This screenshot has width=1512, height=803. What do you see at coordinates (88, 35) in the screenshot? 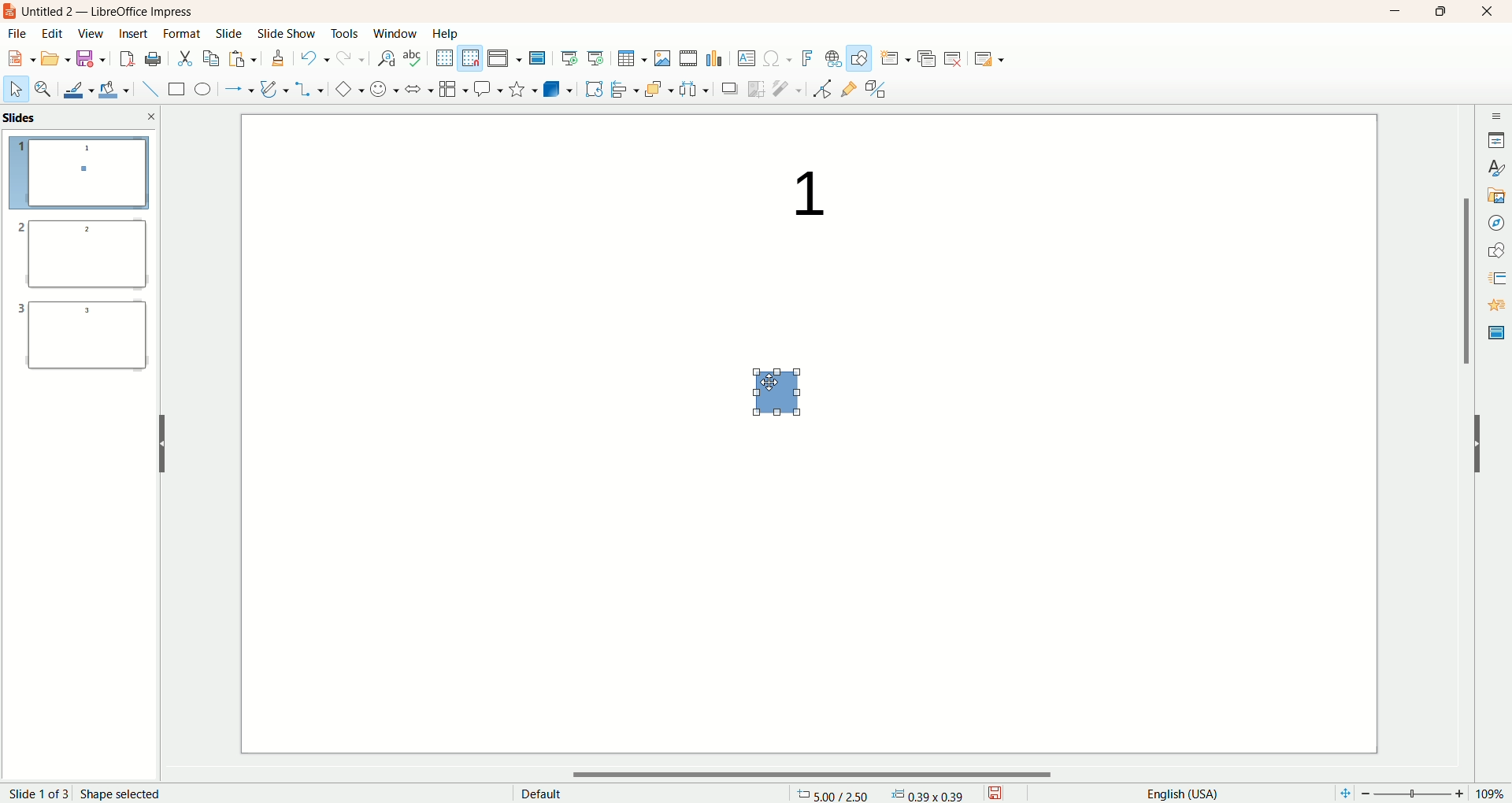
I see `view` at bounding box center [88, 35].